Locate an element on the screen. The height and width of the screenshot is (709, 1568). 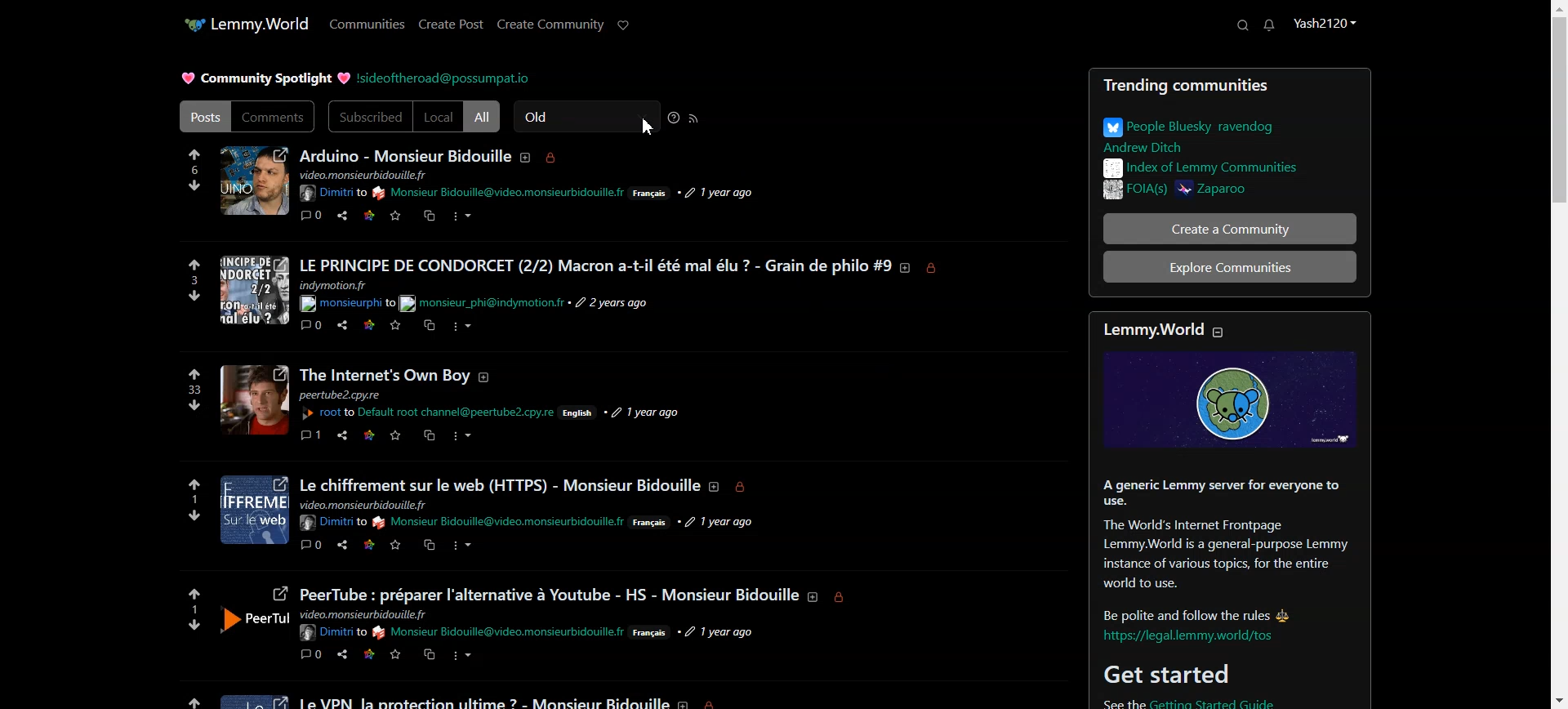
copy is located at coordinates (430, 654).